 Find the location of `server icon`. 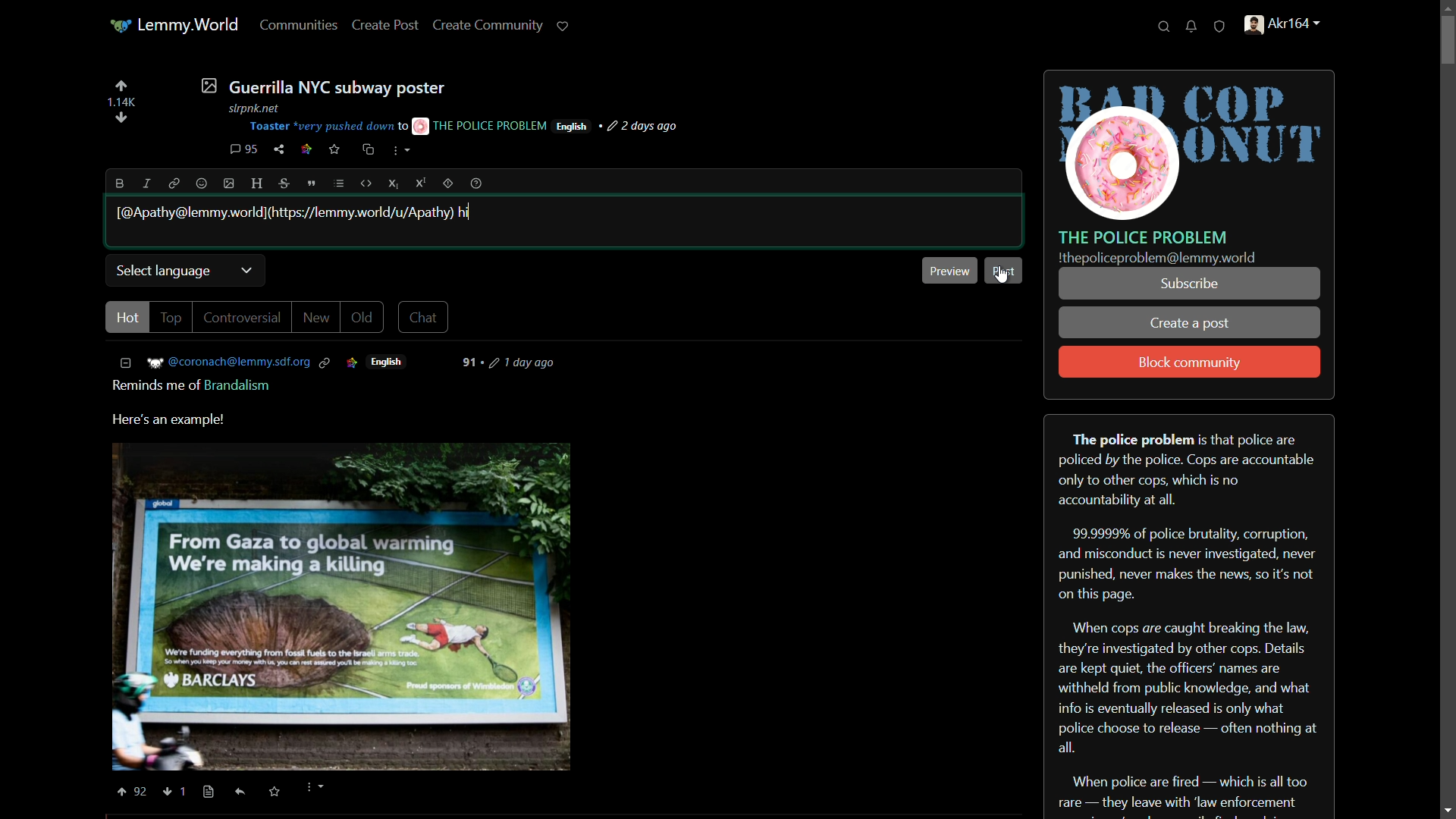

server icon is located at coordinates (1191, 146).